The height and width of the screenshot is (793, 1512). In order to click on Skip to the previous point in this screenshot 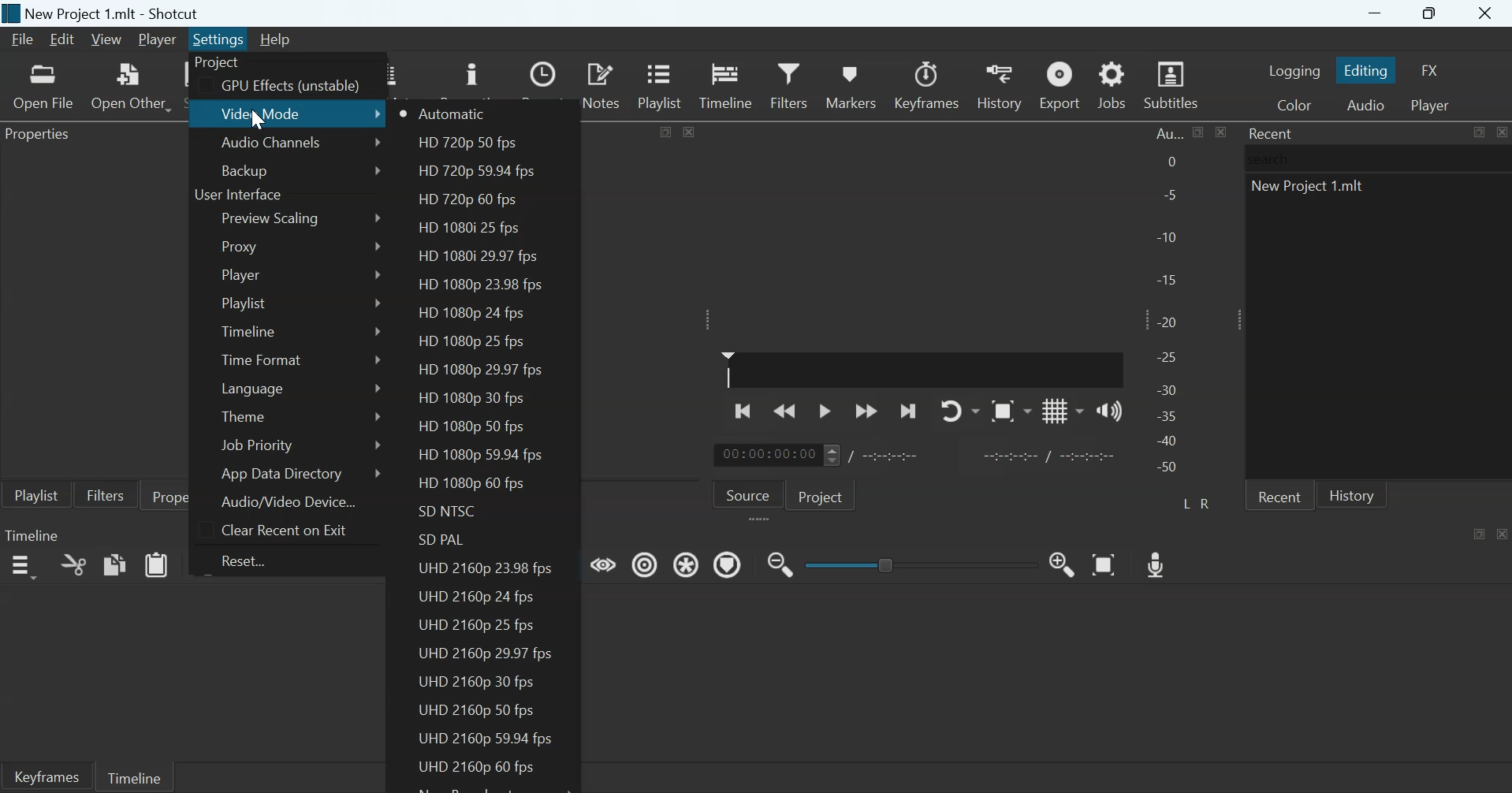, I will do `click(745, 409)`.